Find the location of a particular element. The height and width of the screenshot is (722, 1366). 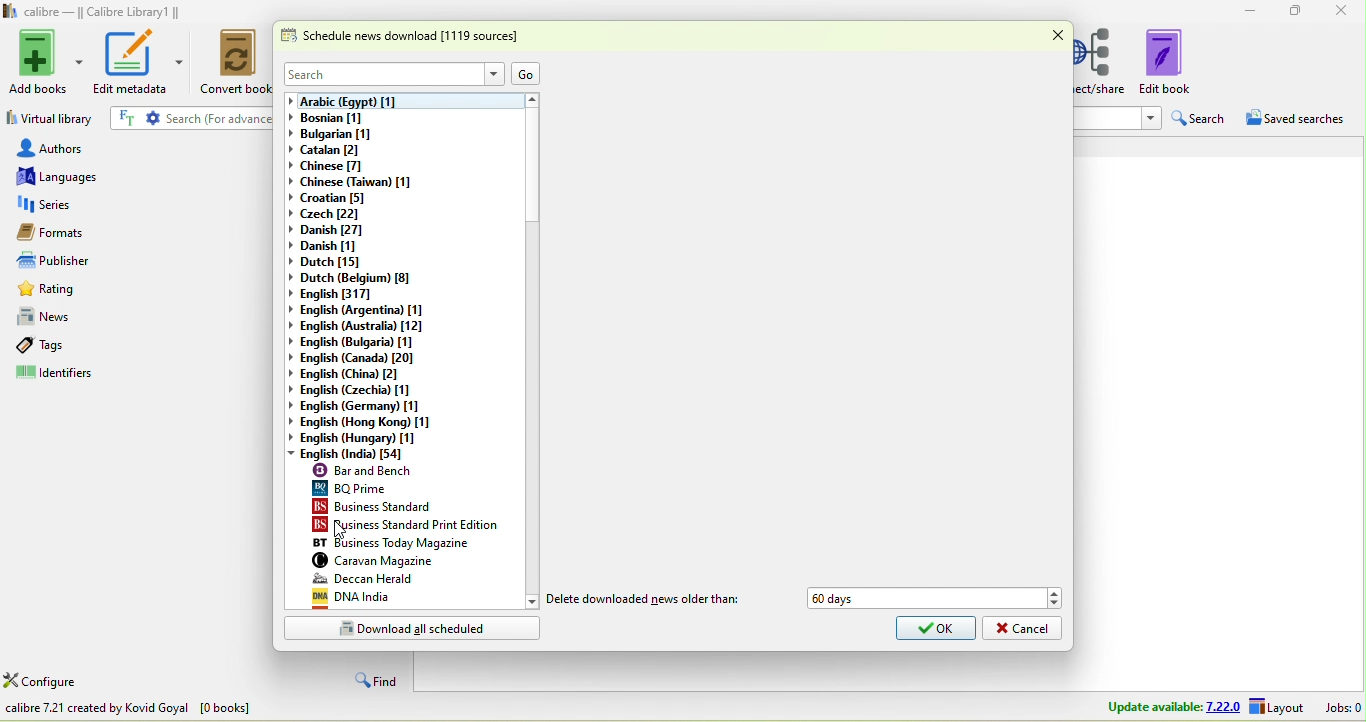

identifiers is located at coordinates (138, 376).